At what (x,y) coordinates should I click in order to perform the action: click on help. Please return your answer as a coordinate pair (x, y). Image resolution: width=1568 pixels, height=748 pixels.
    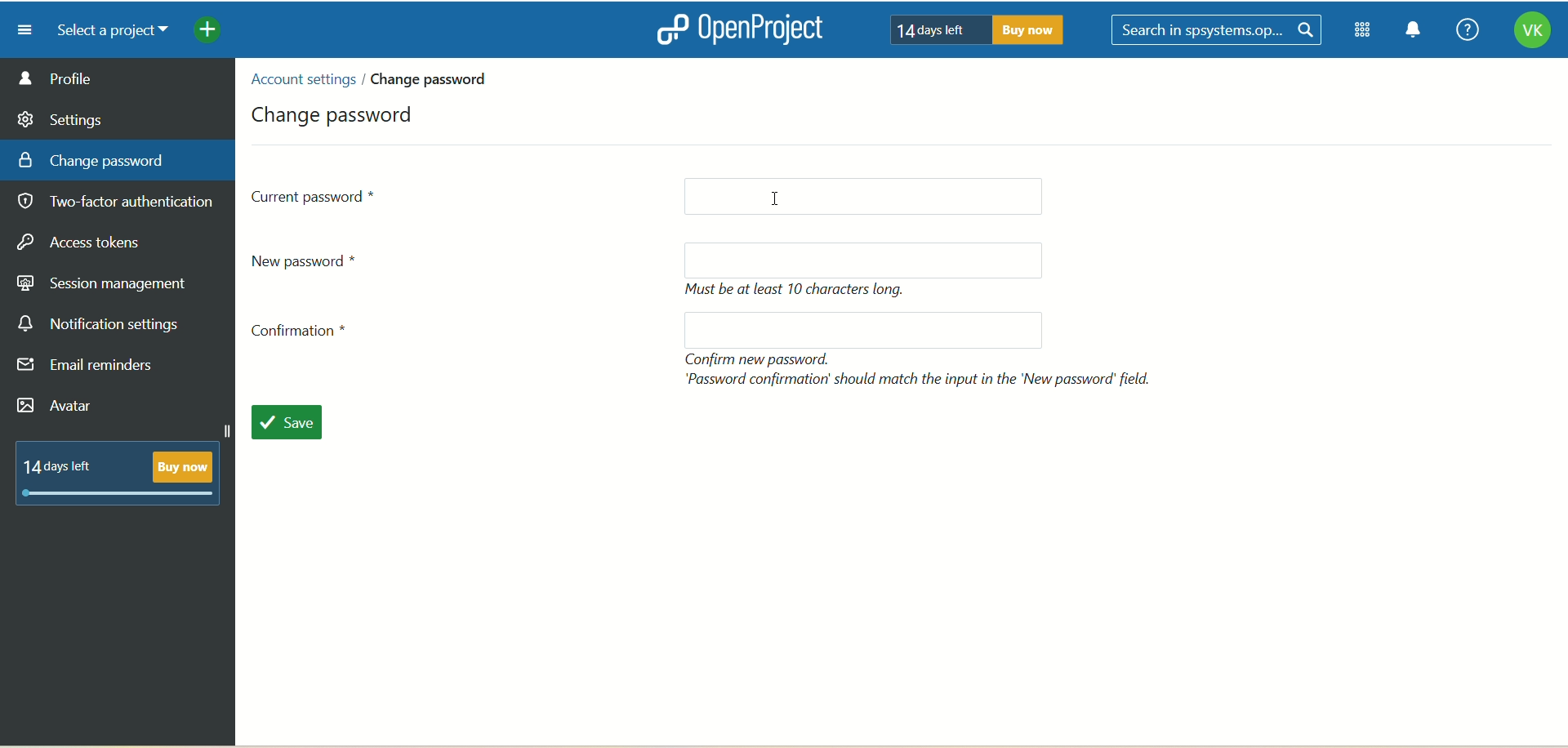
    Looking at the image, I should click on (1463, 31).